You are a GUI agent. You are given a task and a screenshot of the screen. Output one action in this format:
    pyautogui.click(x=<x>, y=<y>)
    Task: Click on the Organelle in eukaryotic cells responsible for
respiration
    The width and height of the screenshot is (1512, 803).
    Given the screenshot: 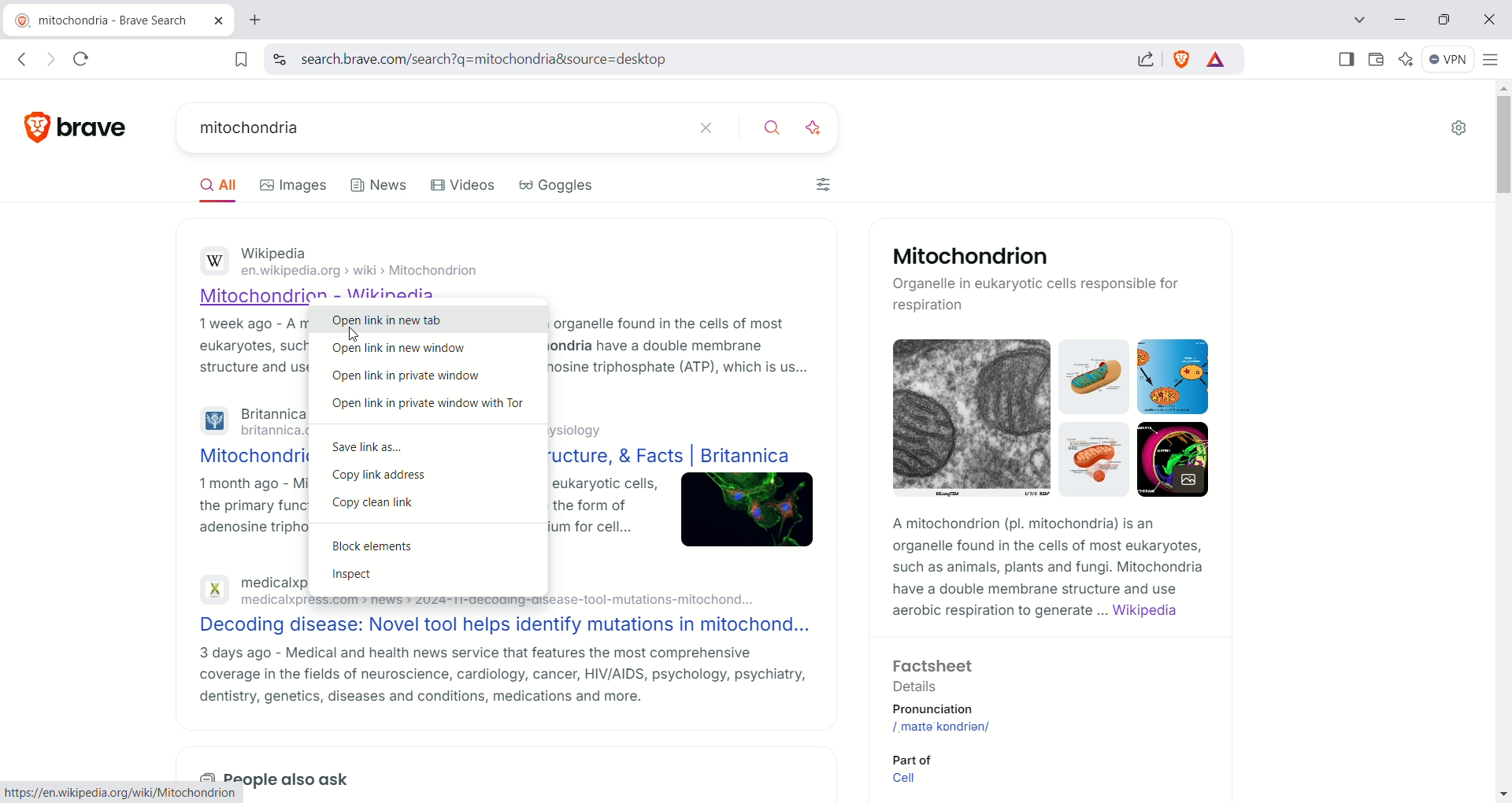 What is the action you would take?
    pyautogui.click(x=1032, y=293)
    